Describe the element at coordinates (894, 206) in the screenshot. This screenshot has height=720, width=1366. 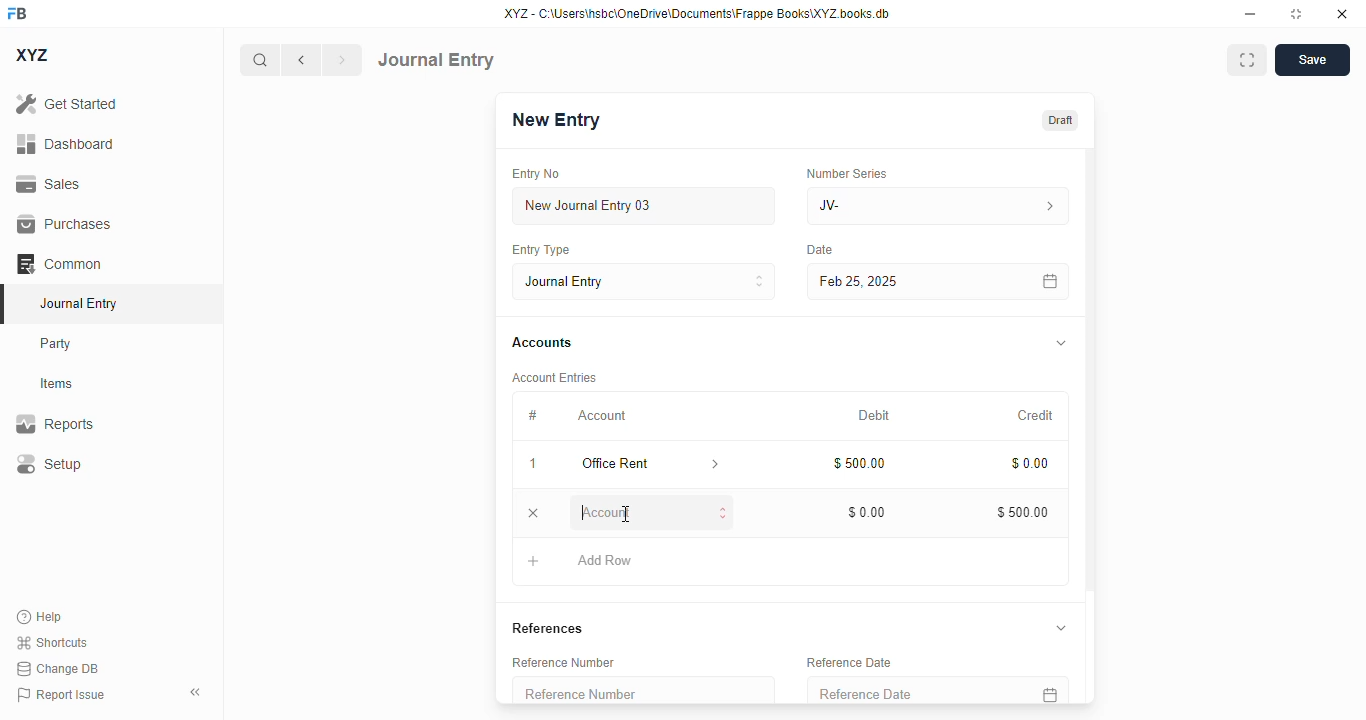
I see `JV-` at that location.